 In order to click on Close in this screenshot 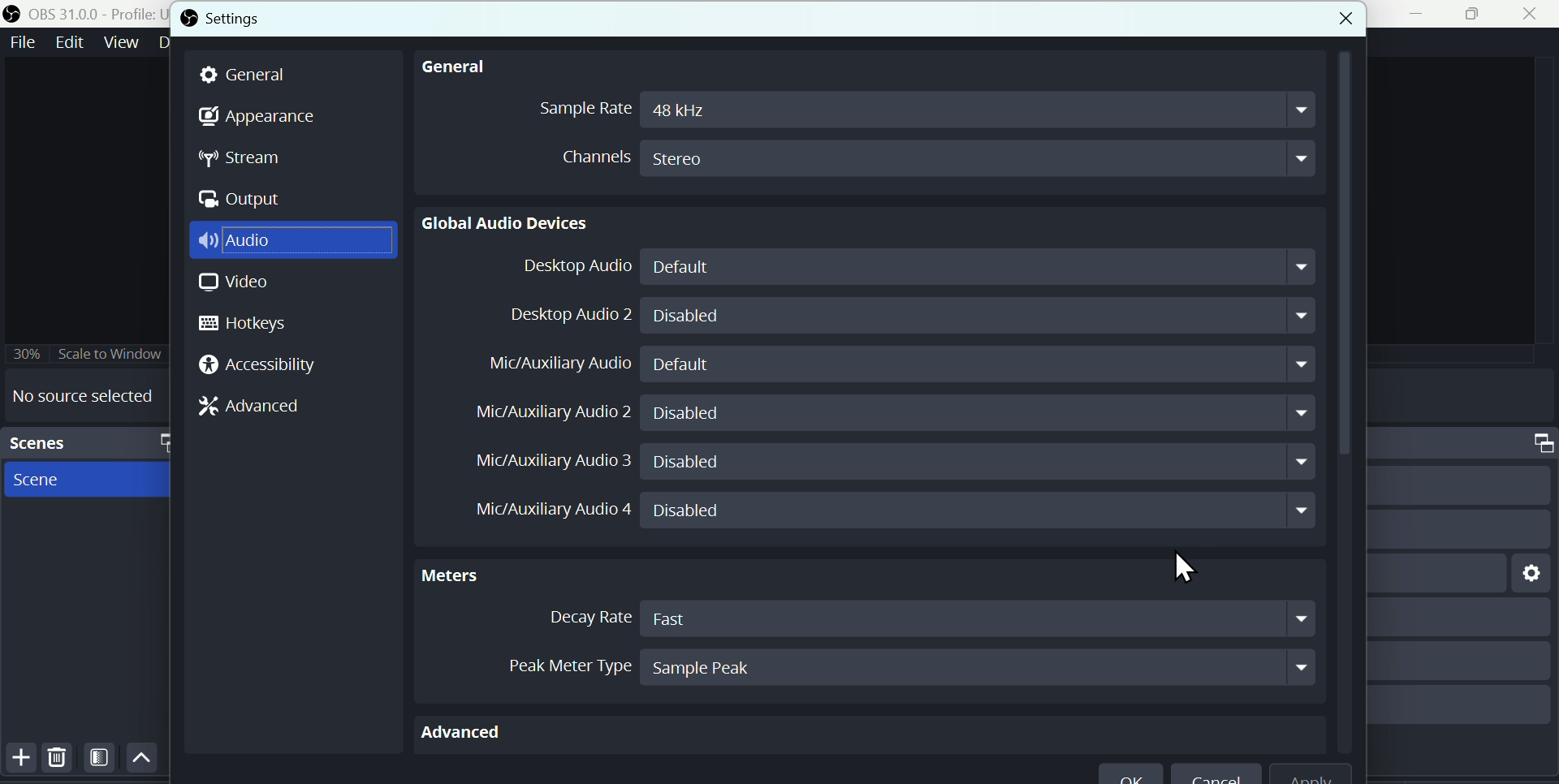, I will do `click(1530, 15)`.